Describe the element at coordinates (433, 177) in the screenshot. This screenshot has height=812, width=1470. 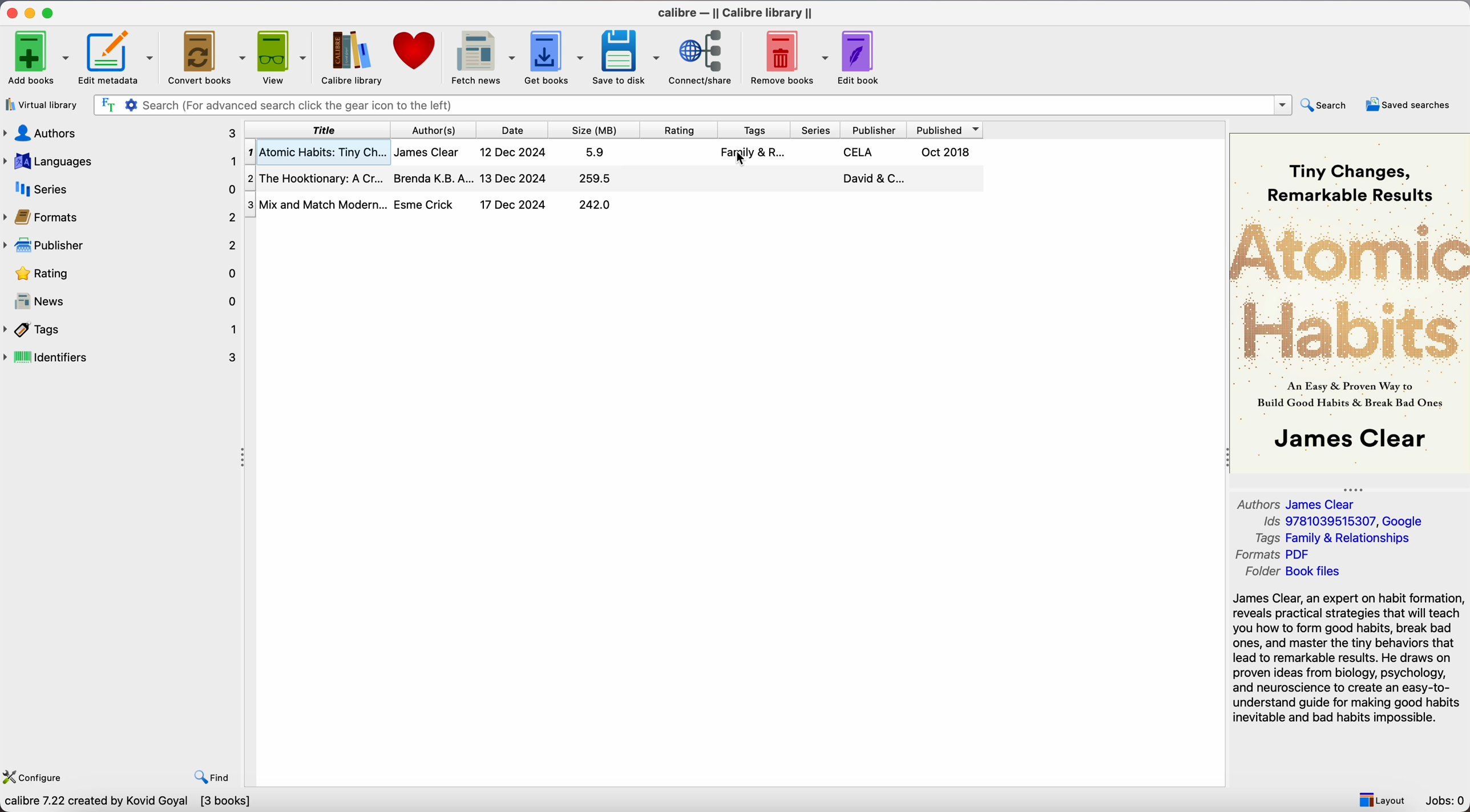
I see `Brenda K.B.A...` at that location.